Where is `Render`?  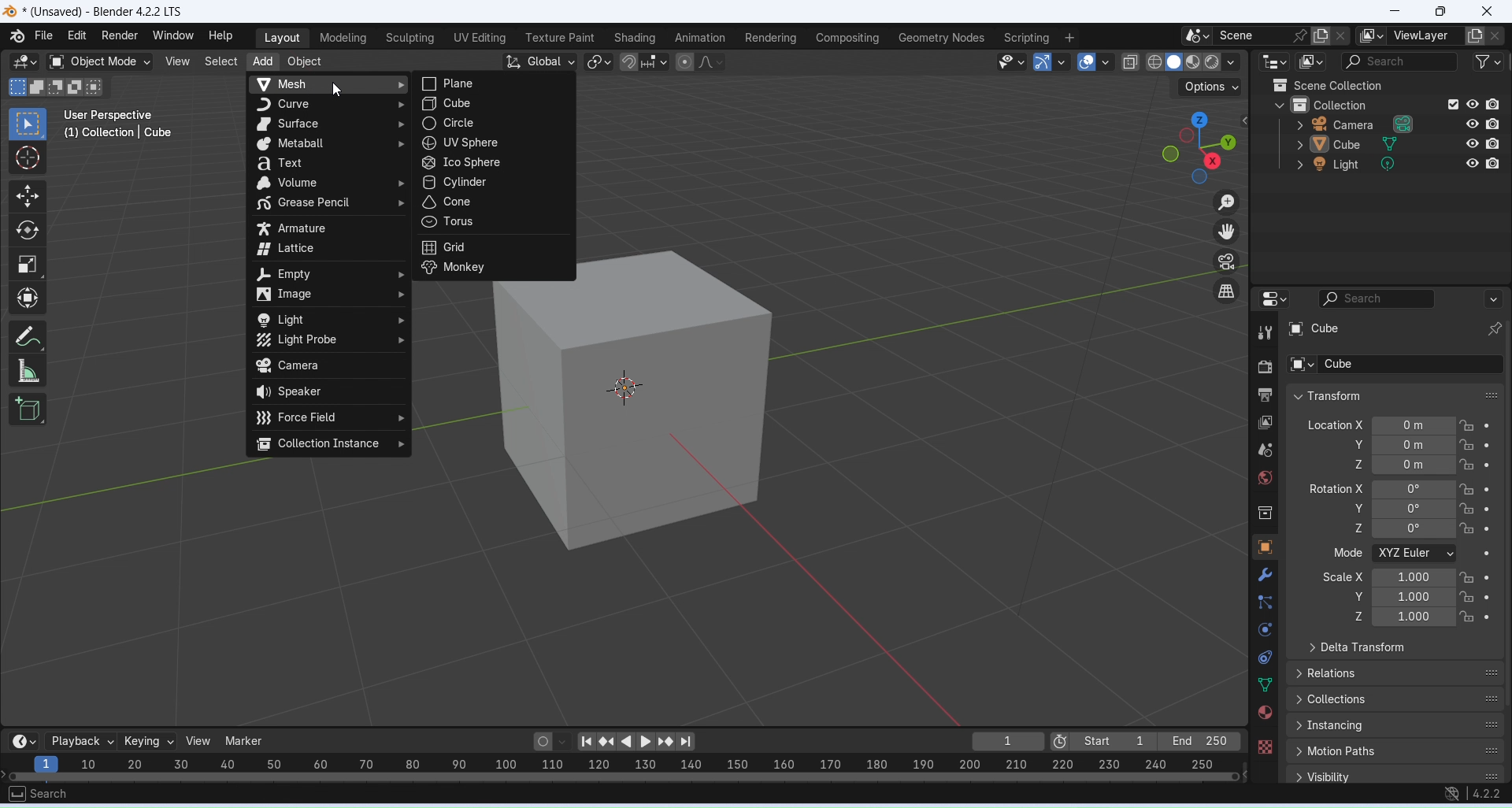
Render is located at coordinates (1262, 367).